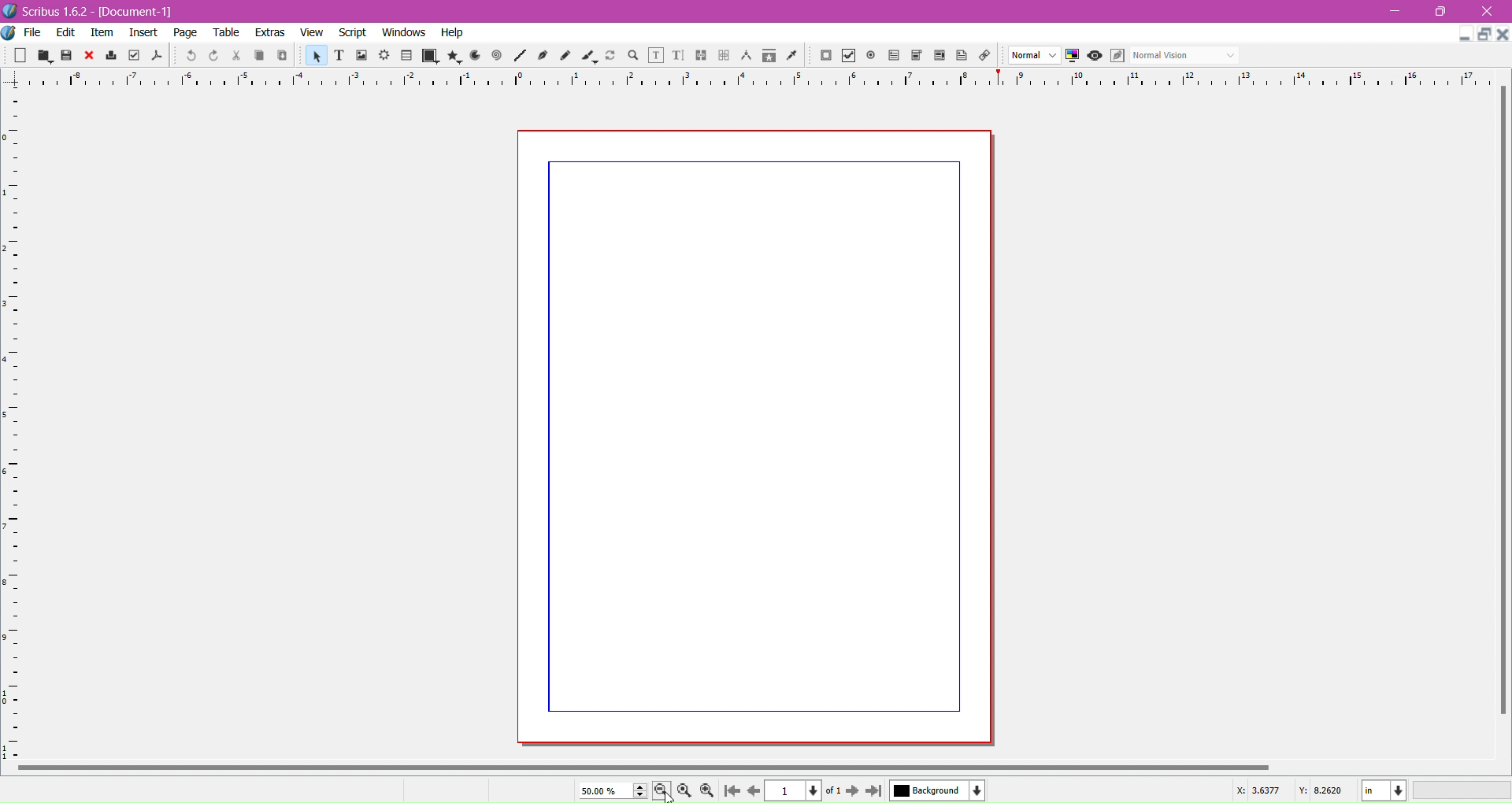 The width and height of the screenshot is (1512, 803). I want to click on Edit, so click(64, 33).